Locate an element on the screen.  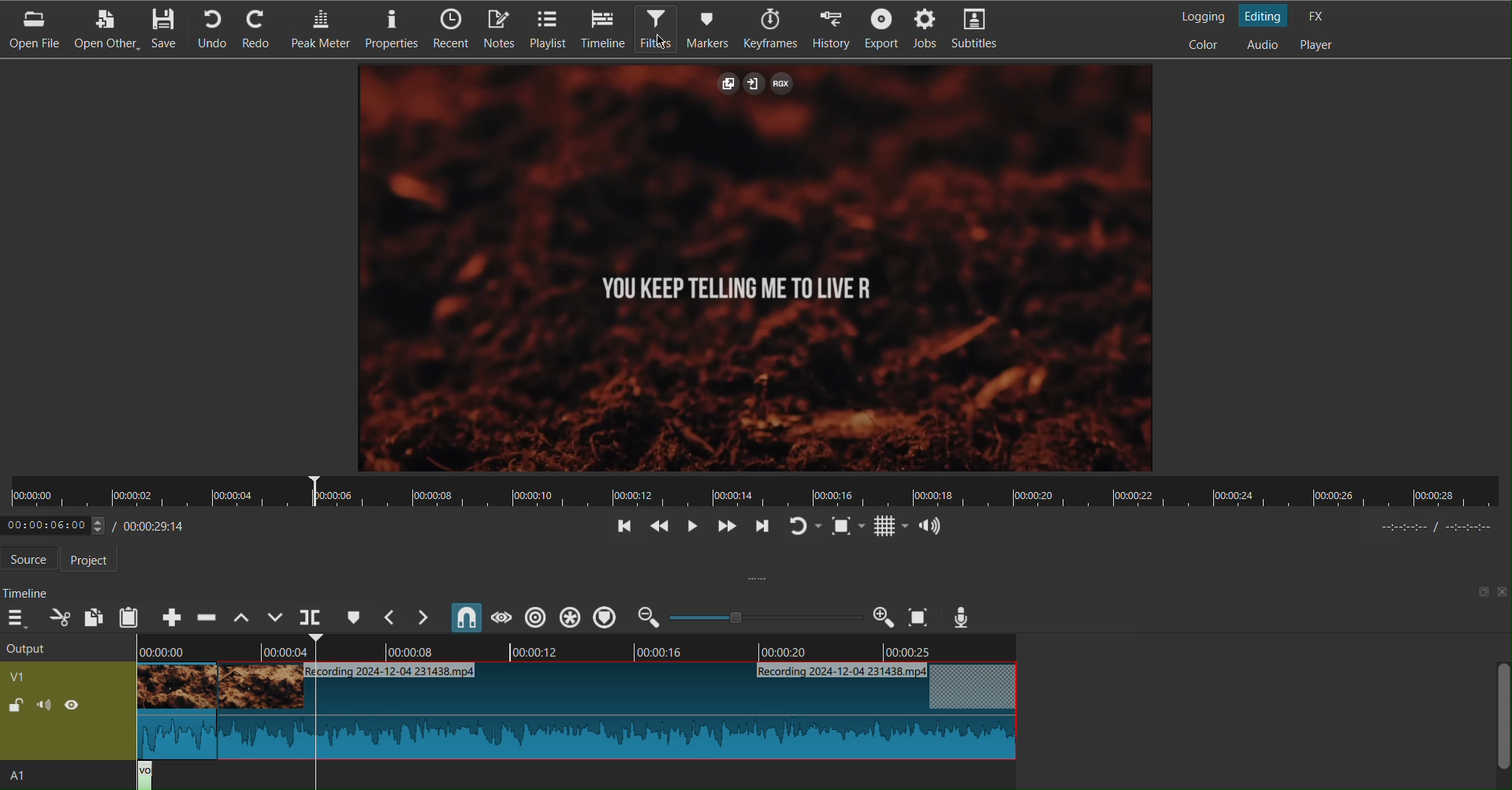
Zoom Fit is located at coordinates (919, 617).